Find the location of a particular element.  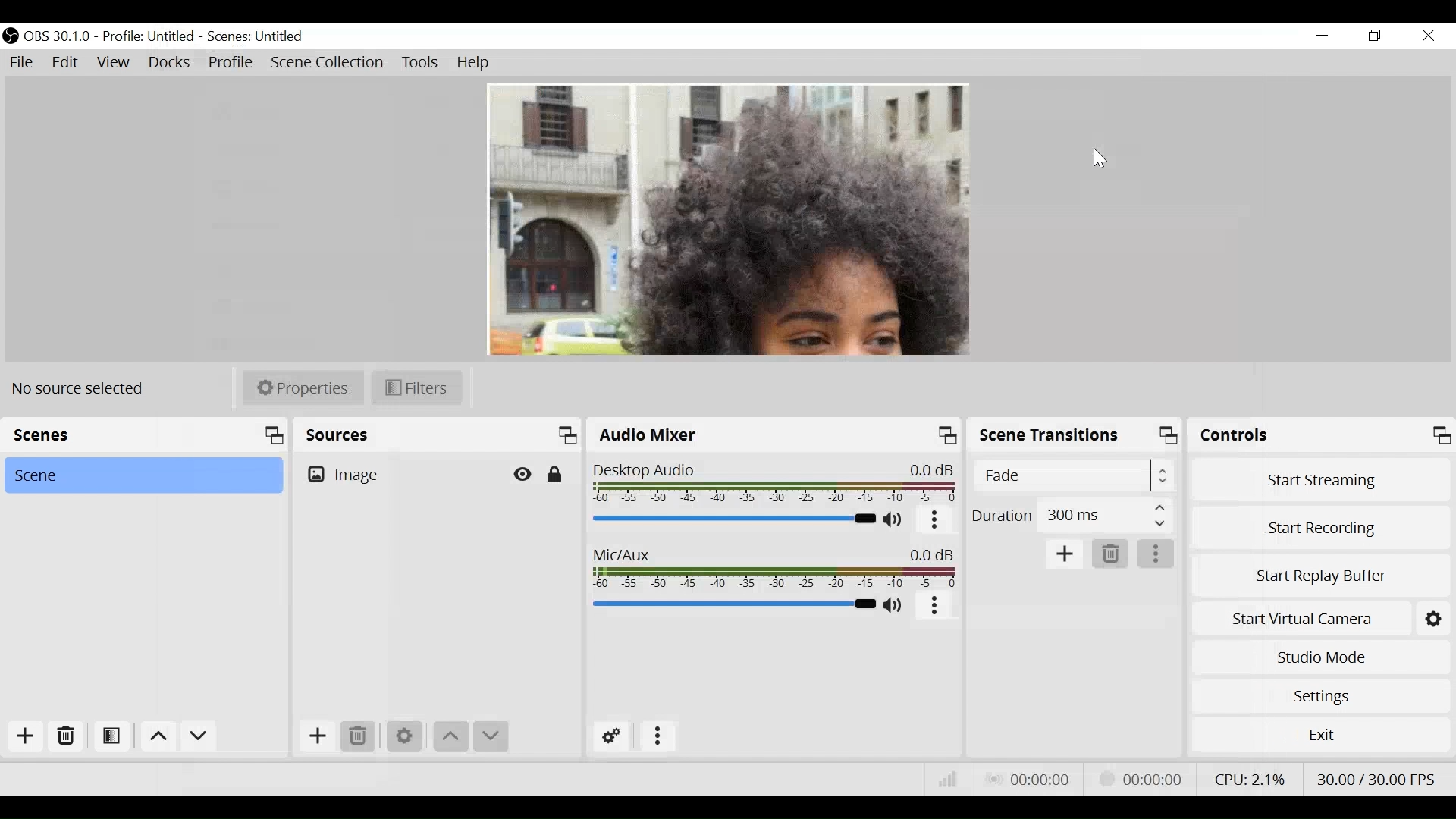

minimize is located at coordinates (1323, 36).